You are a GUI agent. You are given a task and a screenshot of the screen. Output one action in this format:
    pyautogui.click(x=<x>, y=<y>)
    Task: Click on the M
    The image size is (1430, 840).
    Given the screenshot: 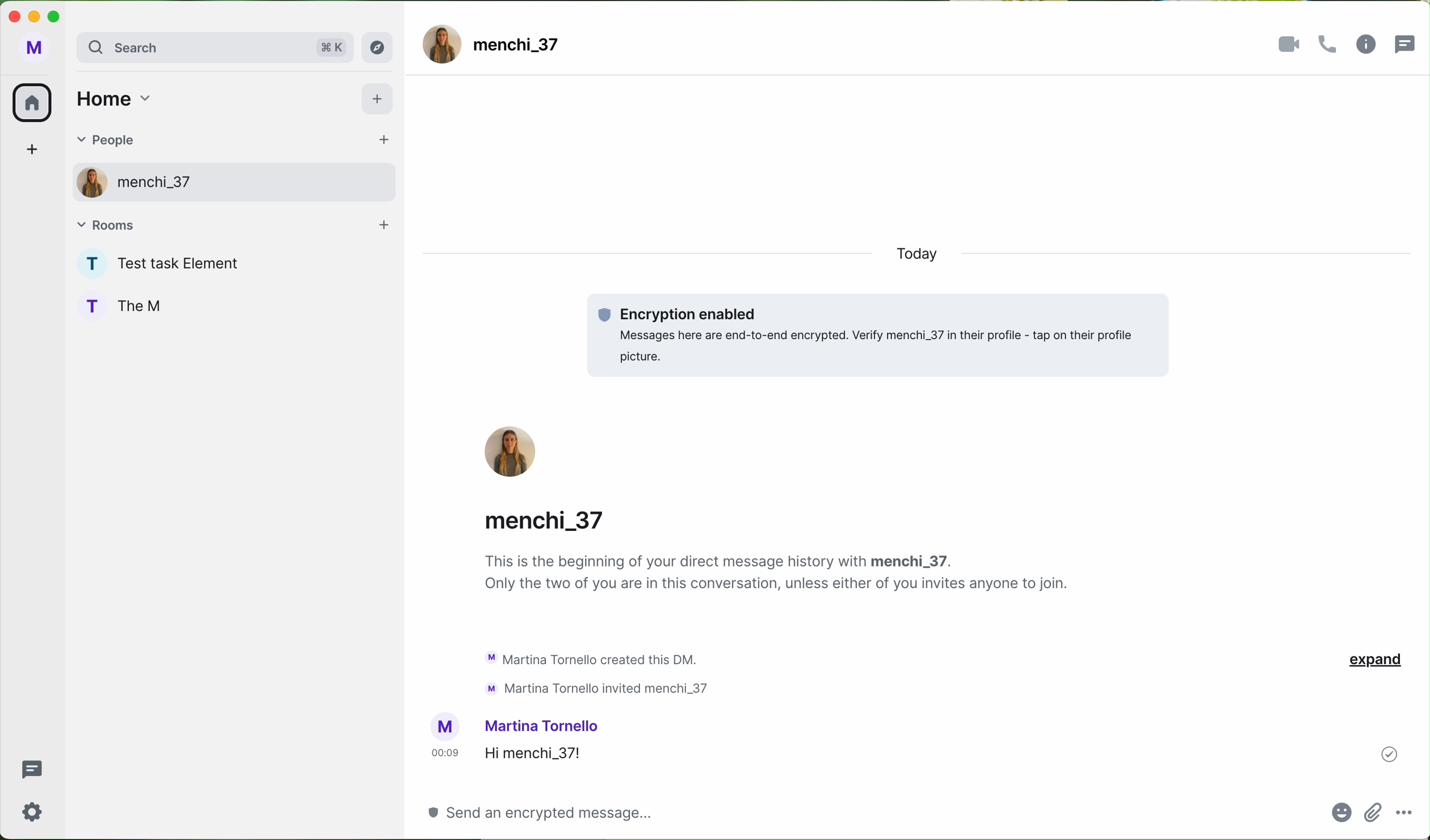 What is the action you would take?
    pyautogui.click(x=33, y=50)
    